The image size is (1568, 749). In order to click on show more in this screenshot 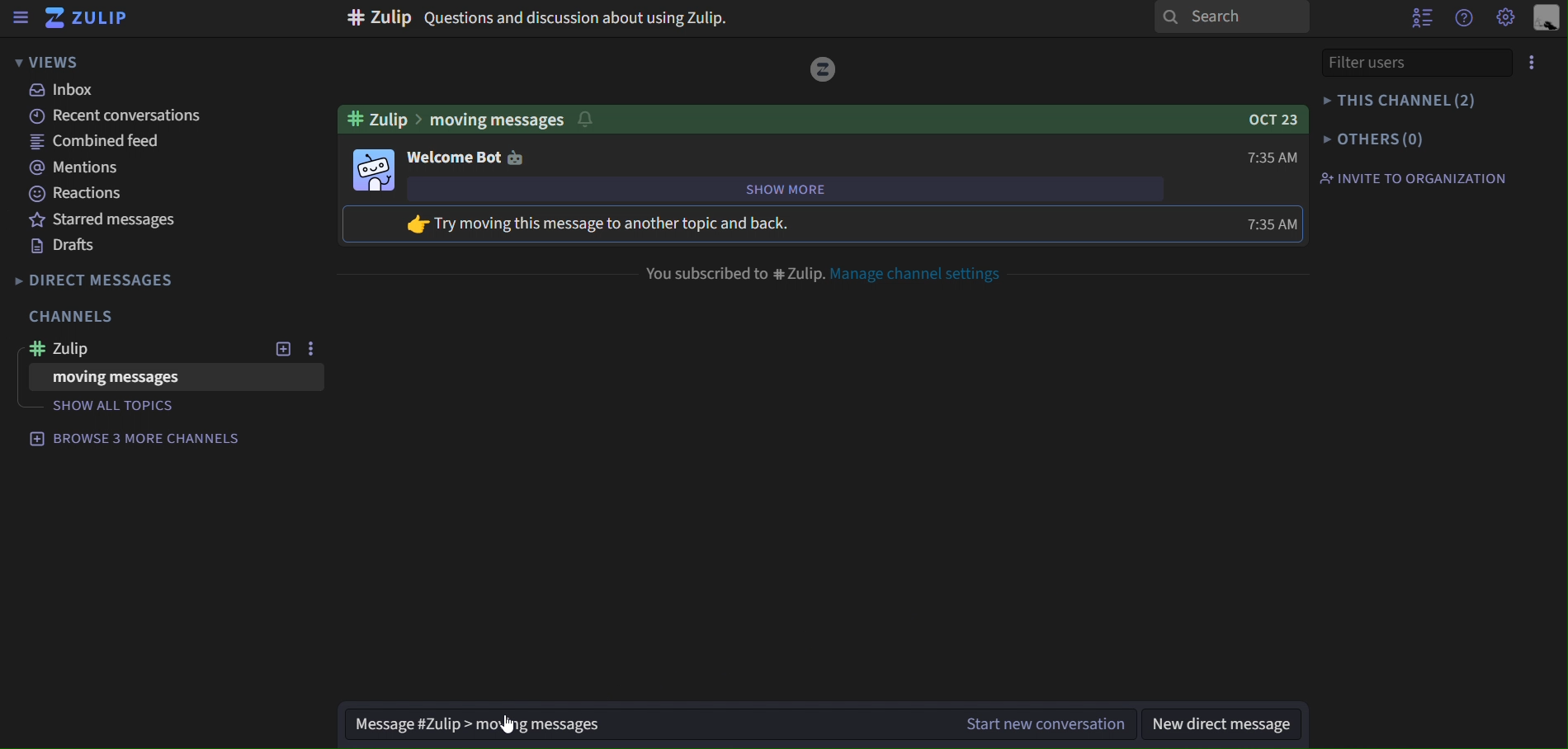, I will do `click(822, 190)`.